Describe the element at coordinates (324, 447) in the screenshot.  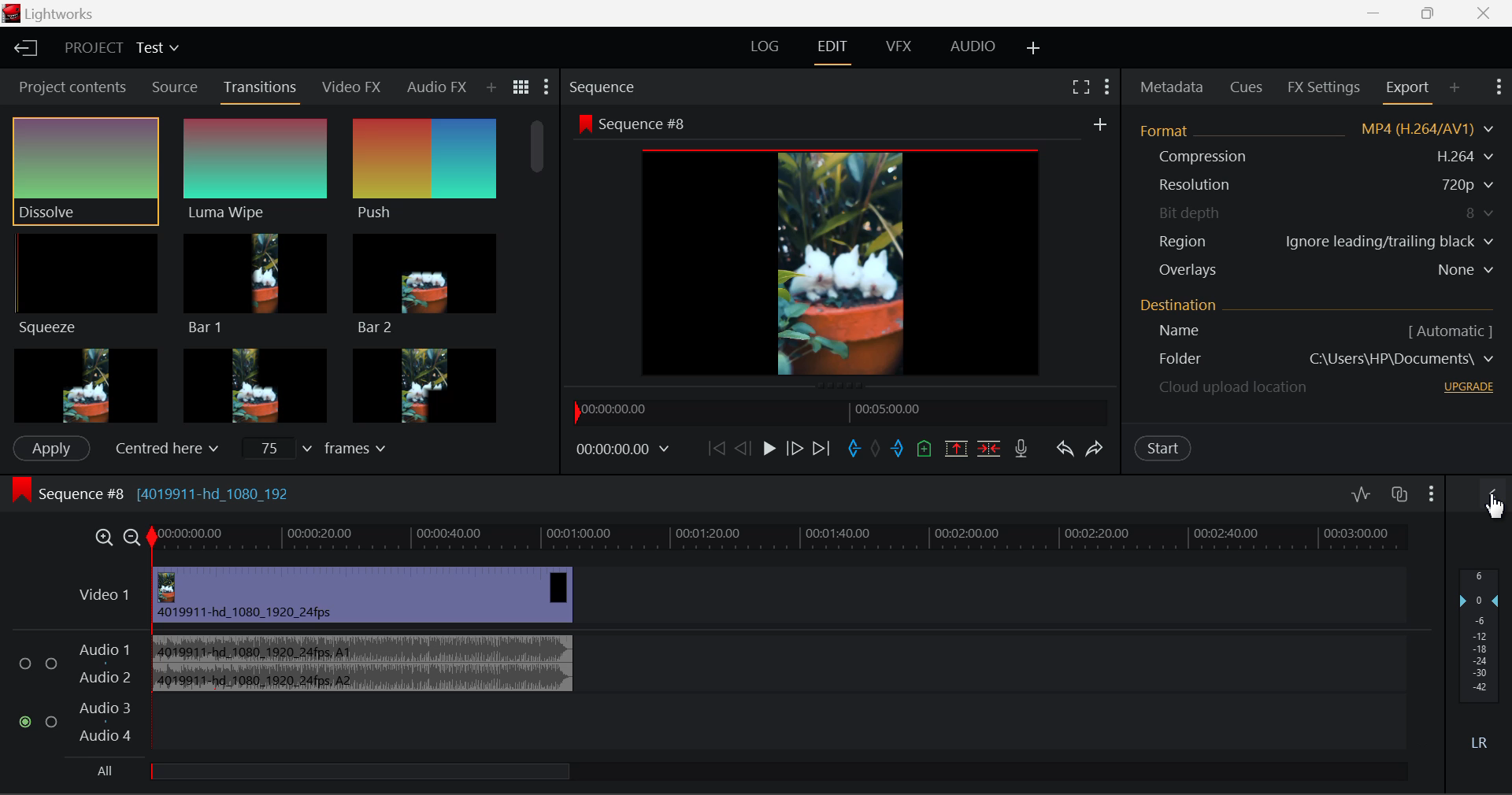
I see `Frames Input` at that location.